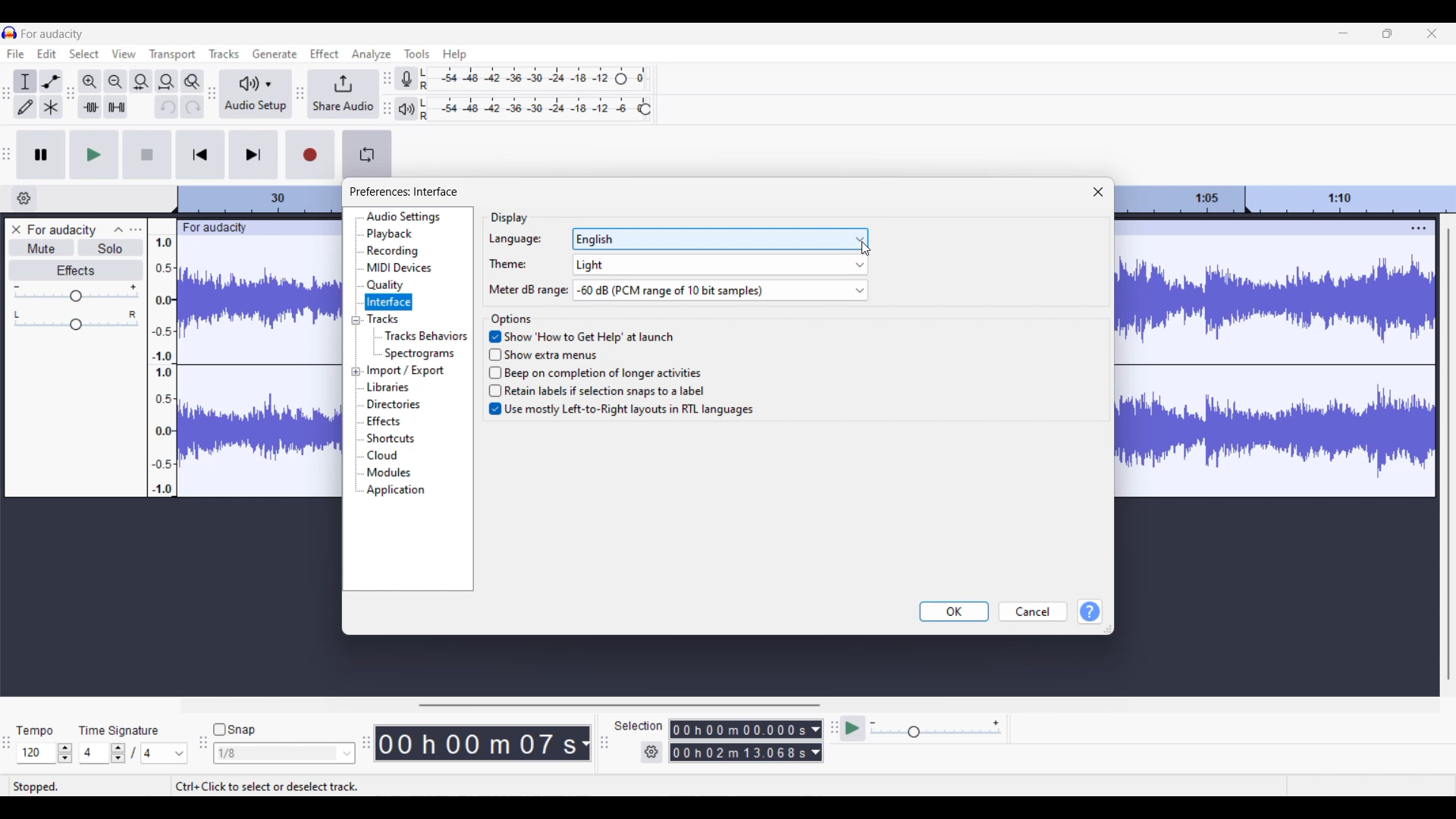  What do you see at coordinates (455, 55) in the screenshot?
I see `Help menu` at bounding box center [455, 55].